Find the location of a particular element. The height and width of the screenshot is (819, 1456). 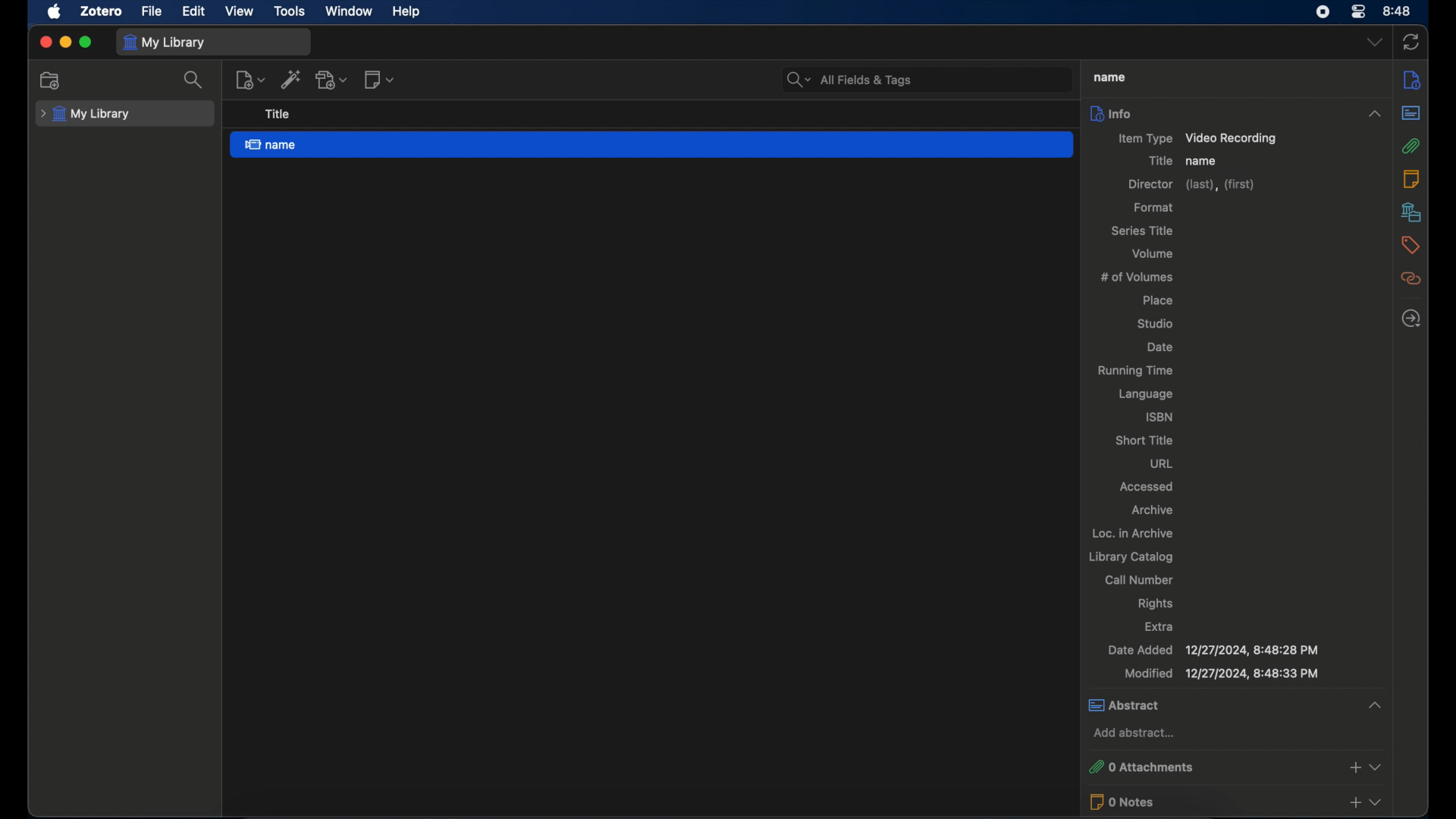

control center is located at coordinates (1359, 12).